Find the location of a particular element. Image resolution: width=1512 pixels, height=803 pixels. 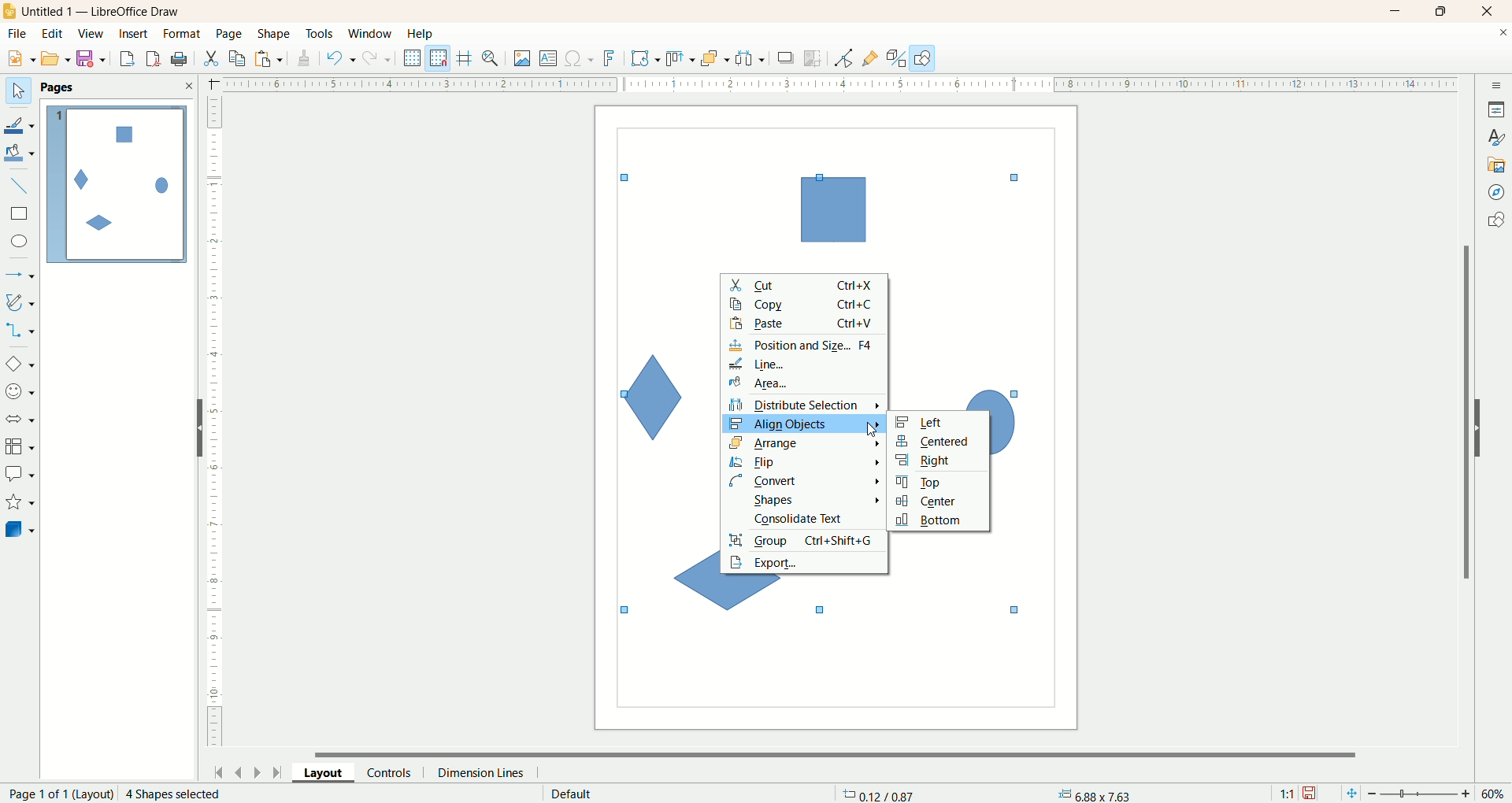

2 Shape selected is located at coordinates (172, 794).